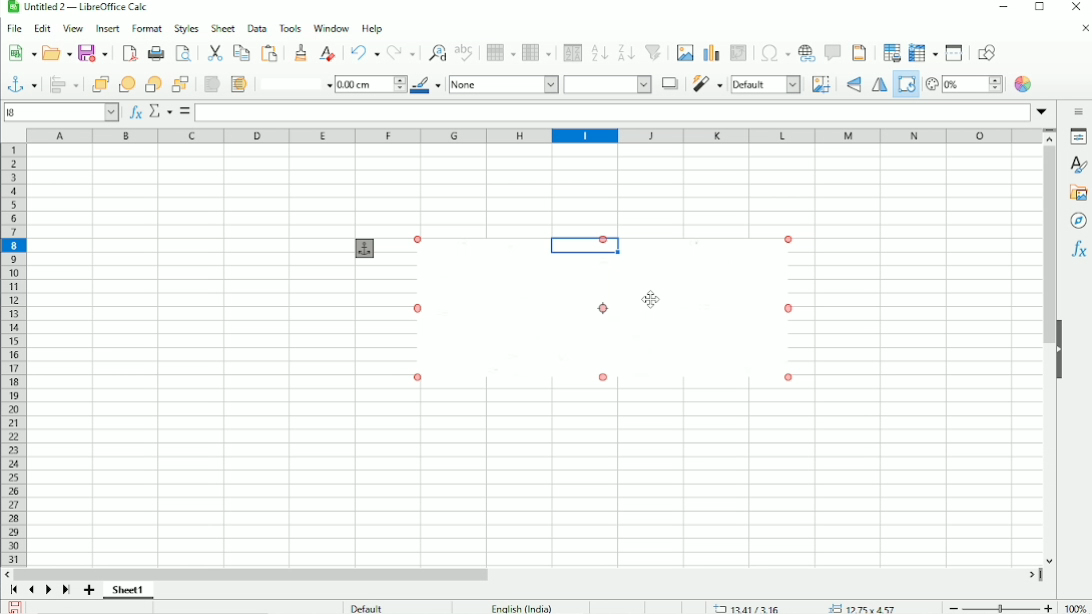  What do you see at coordinates (626, 52) in the screenshot?
I see `Sort descending` at bounding box center [626, 52].